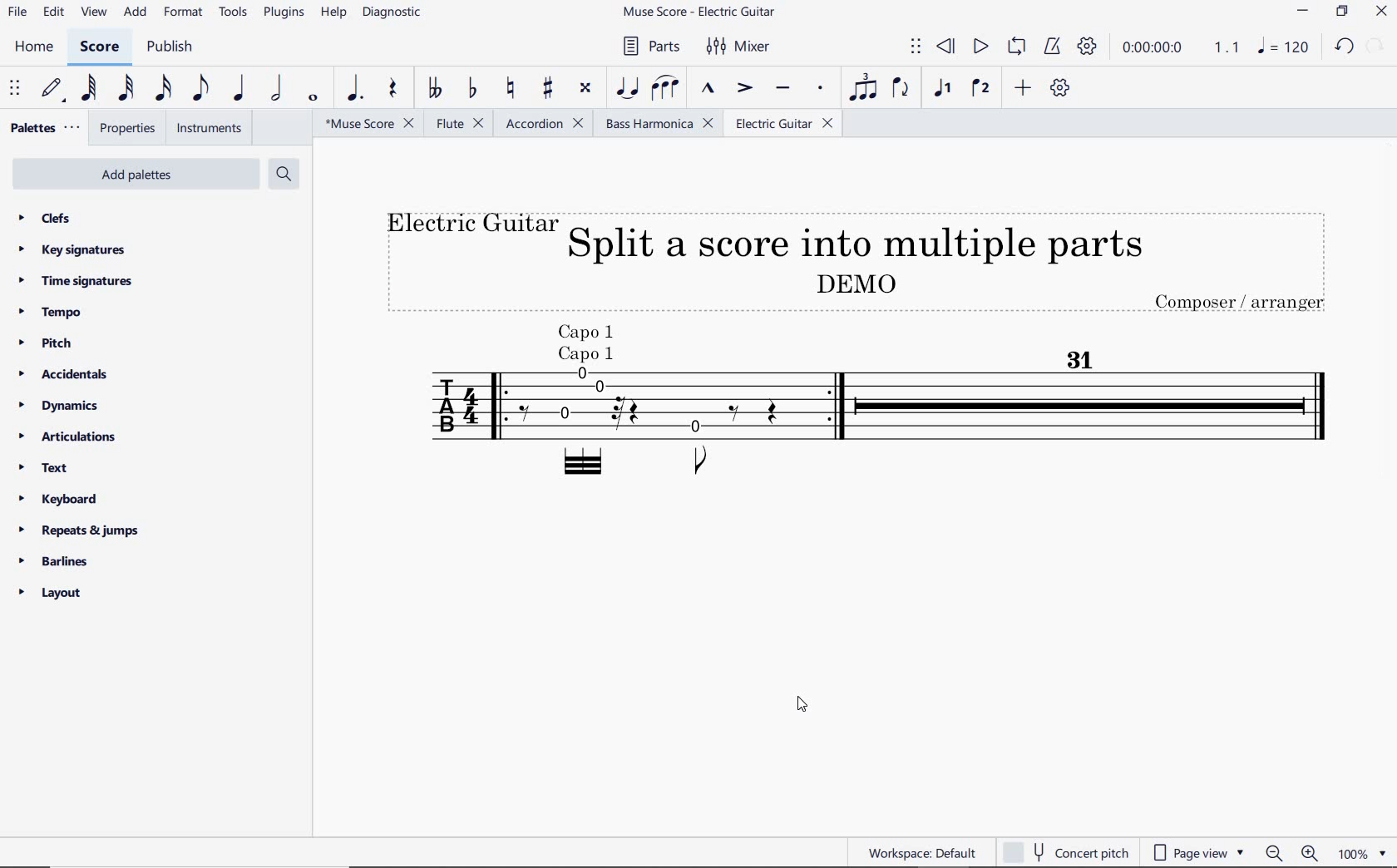 The height and width of the screenshot is (868, 1397). What do you see at coordinates (698, 12) in the screenshot?
I see `file name (after score split)` at bounding box center [698, 12].